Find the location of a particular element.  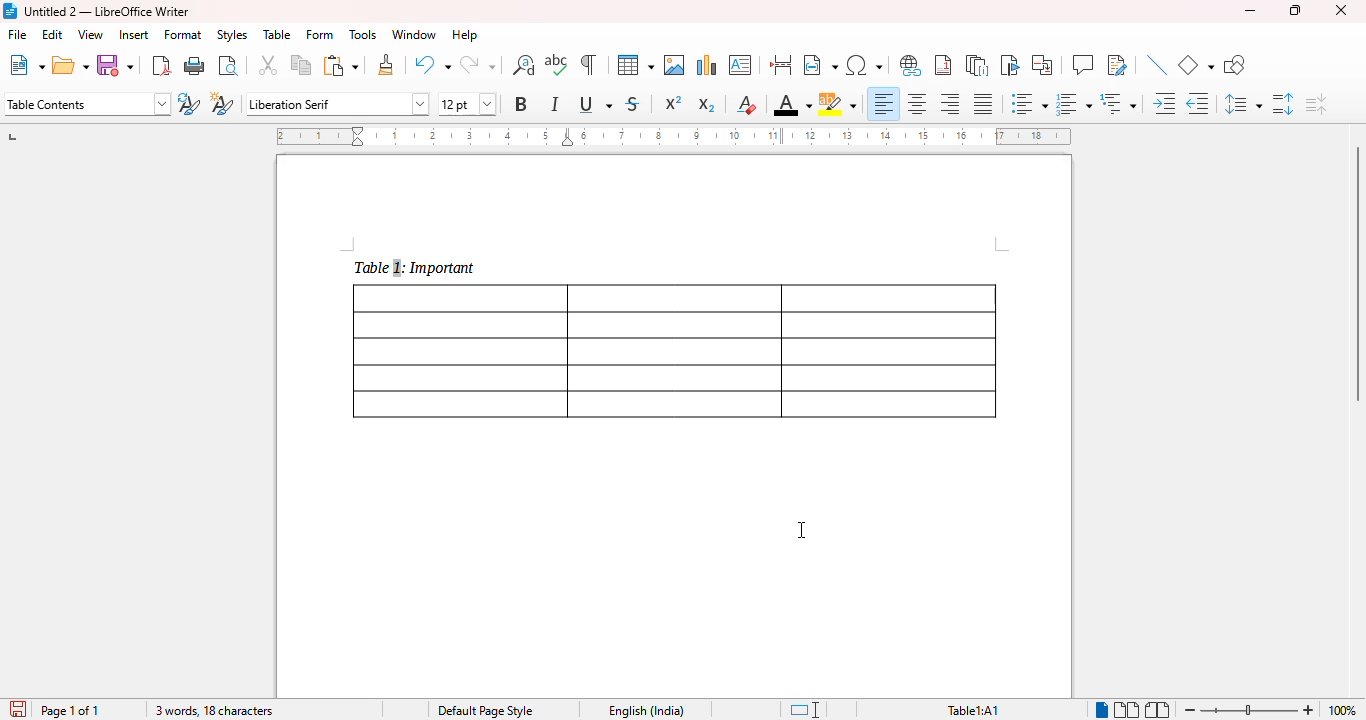

zoom out is located at coordinates (1190, 711).